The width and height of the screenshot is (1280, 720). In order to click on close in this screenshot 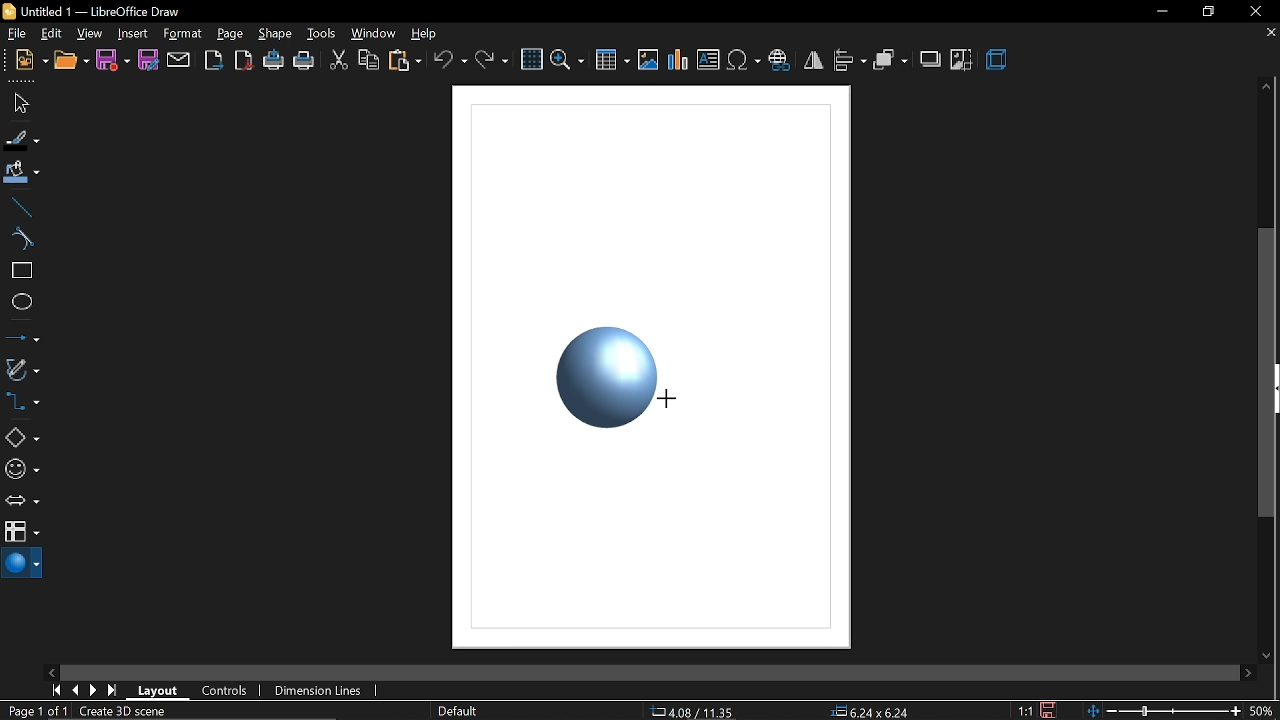, I will do `click(1253, 11)`.